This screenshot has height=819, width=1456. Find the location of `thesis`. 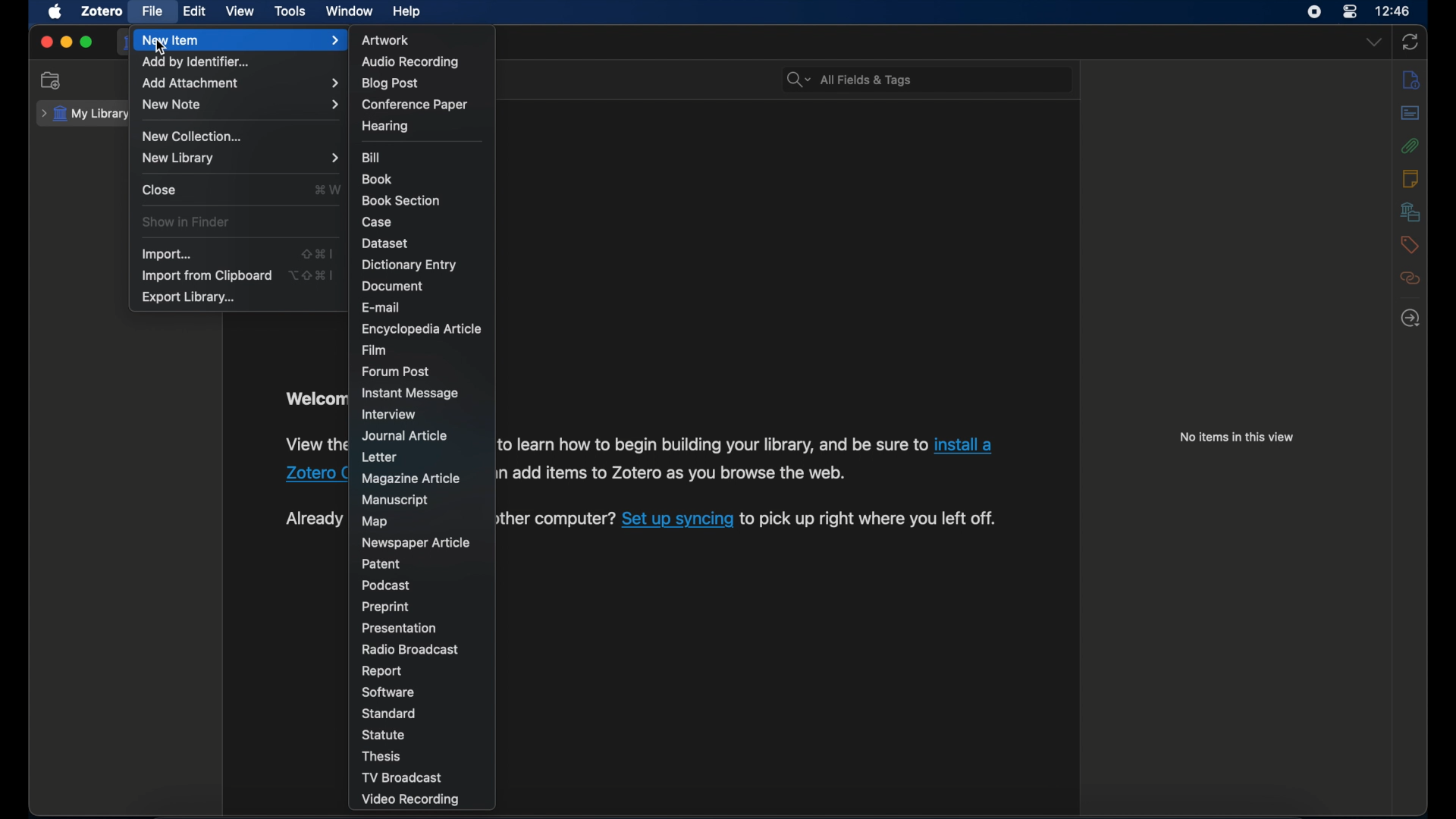

thesis is located at coordinates (381, 757).